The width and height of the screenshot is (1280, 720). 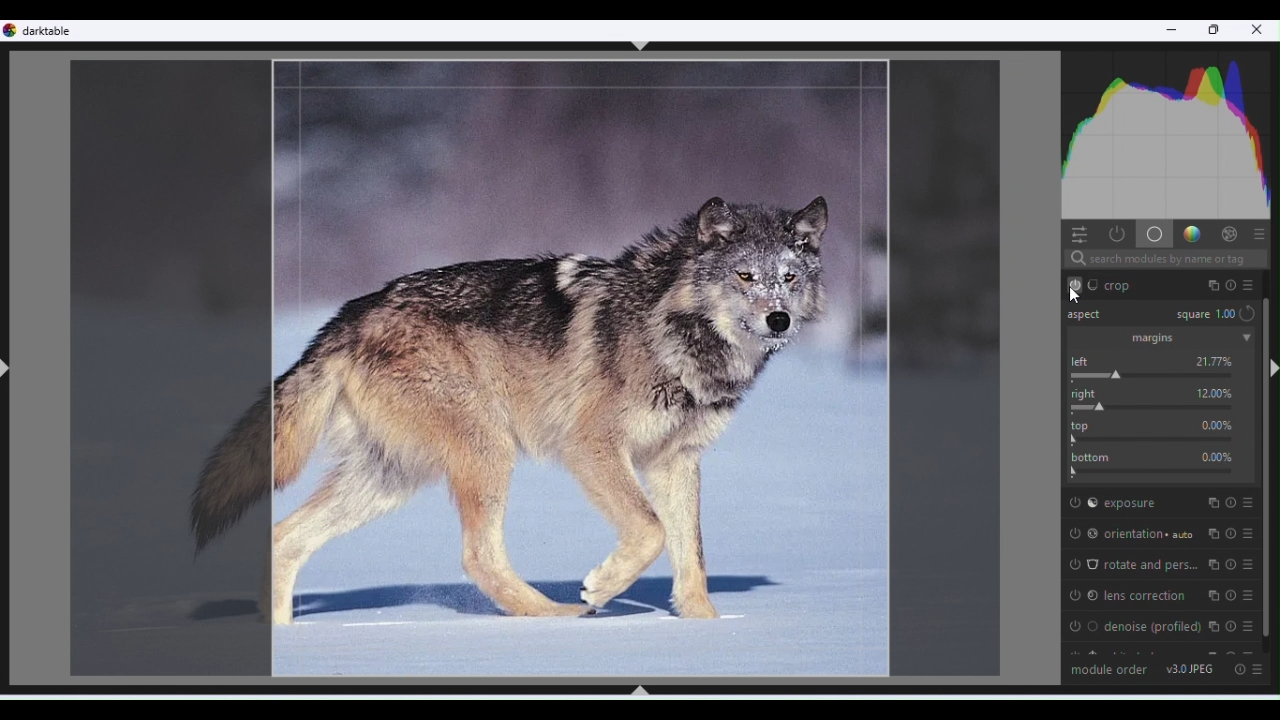 I want to click on reset, so click(x=1248, y=313).